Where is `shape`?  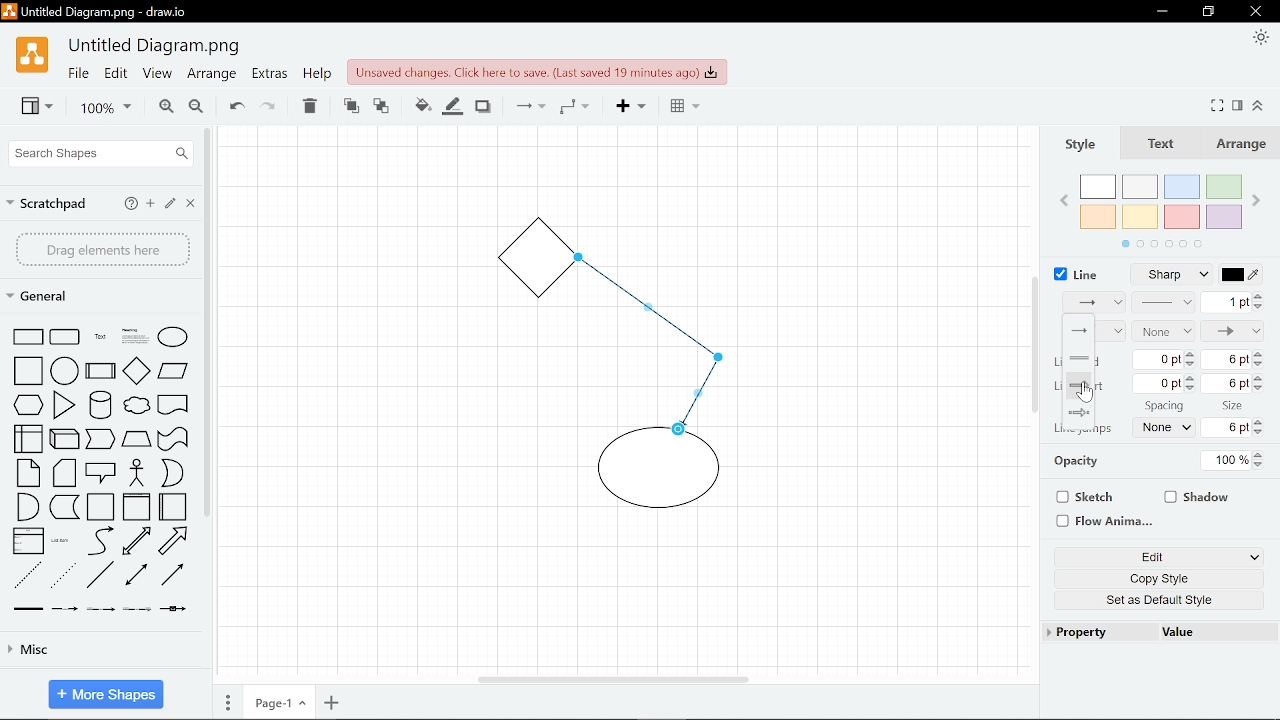
shape is located at coordinates (64, 577).